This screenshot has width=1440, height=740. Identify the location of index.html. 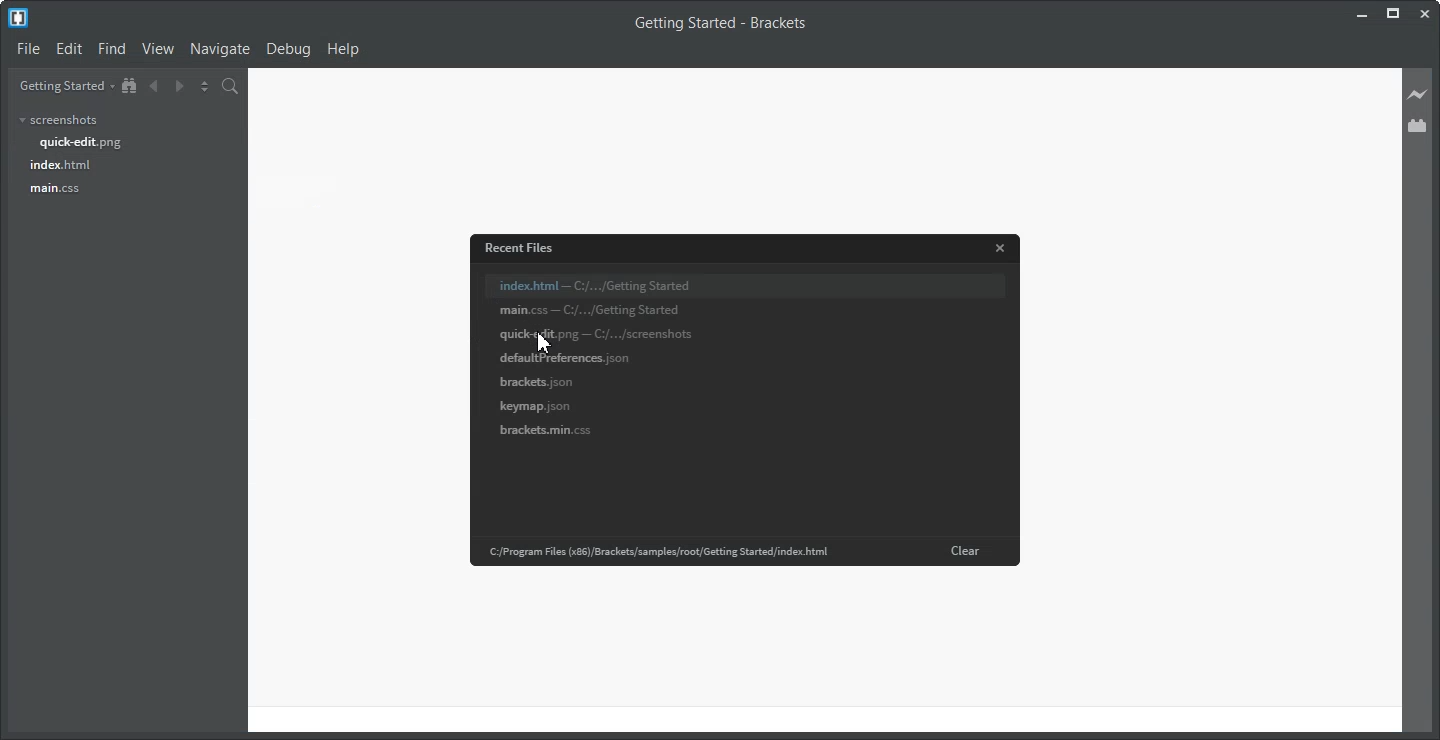
(59, 165).